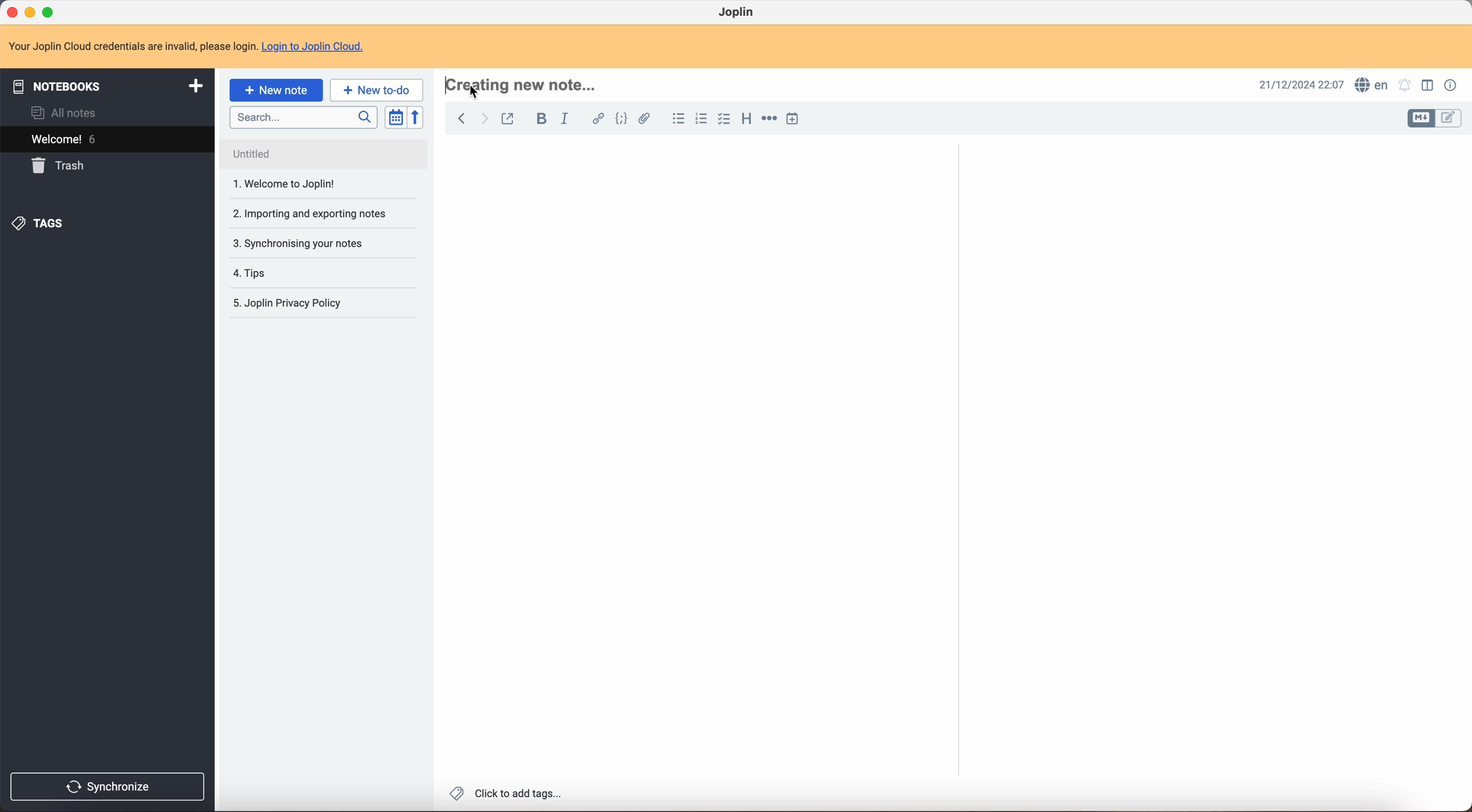  What do you see at coordinates (1210, 432) in the screenshot?
I see `body text` at bounding box center [1210, 432].